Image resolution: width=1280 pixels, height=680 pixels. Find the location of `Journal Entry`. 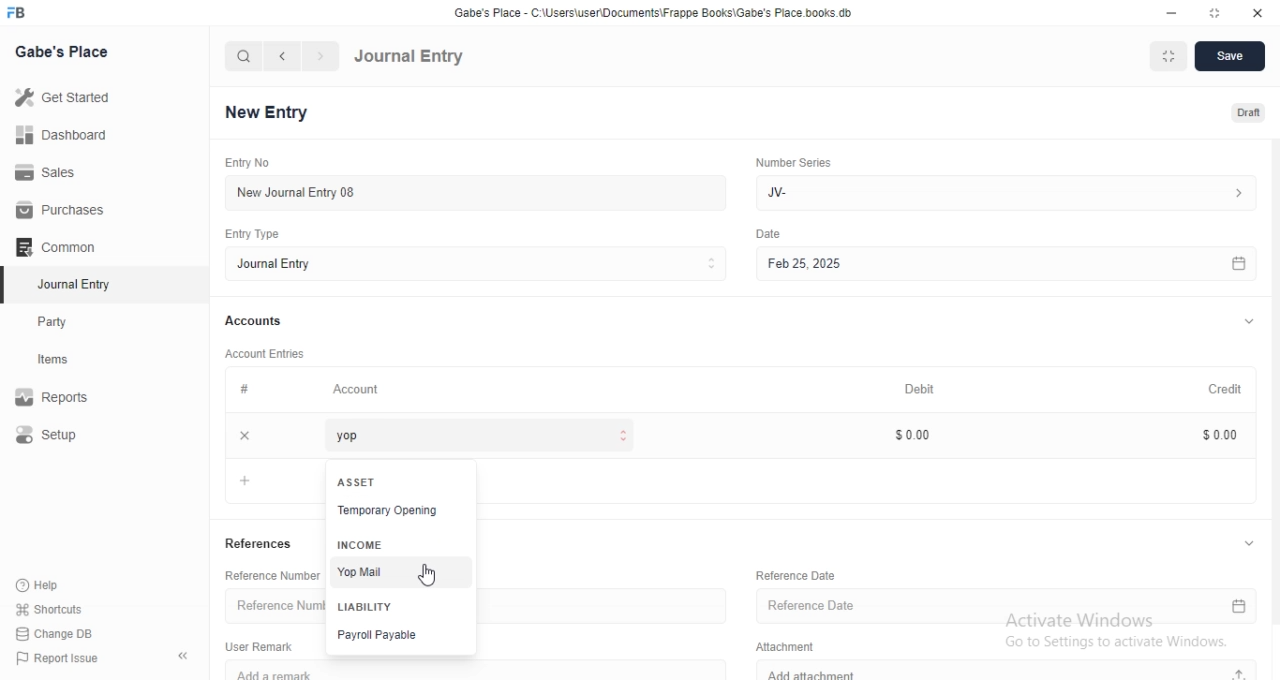

Journal Entry is located at coordinates (474, 265).